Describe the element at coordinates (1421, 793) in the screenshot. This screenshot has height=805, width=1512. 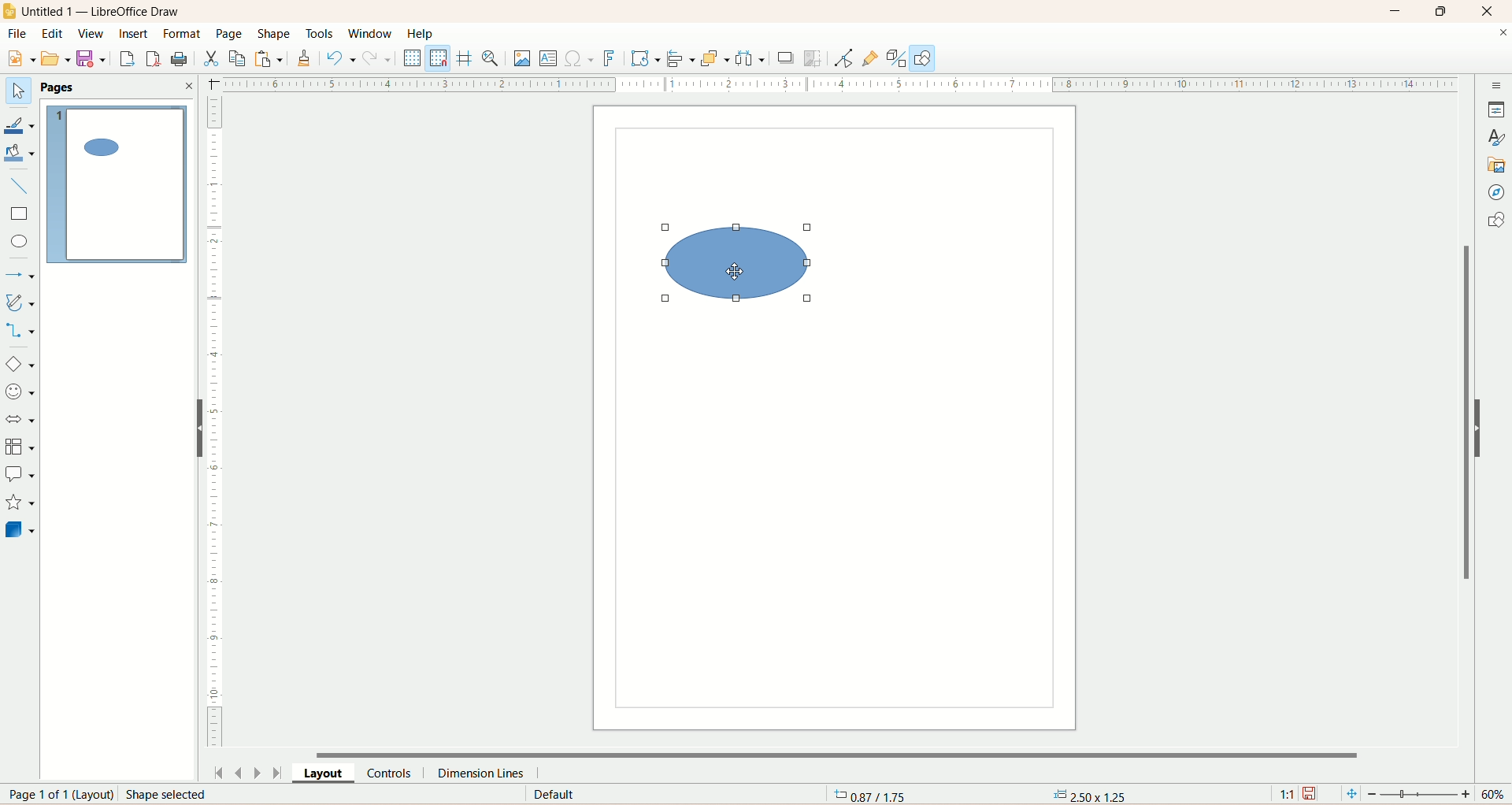
I see `zoom factor` at that location.